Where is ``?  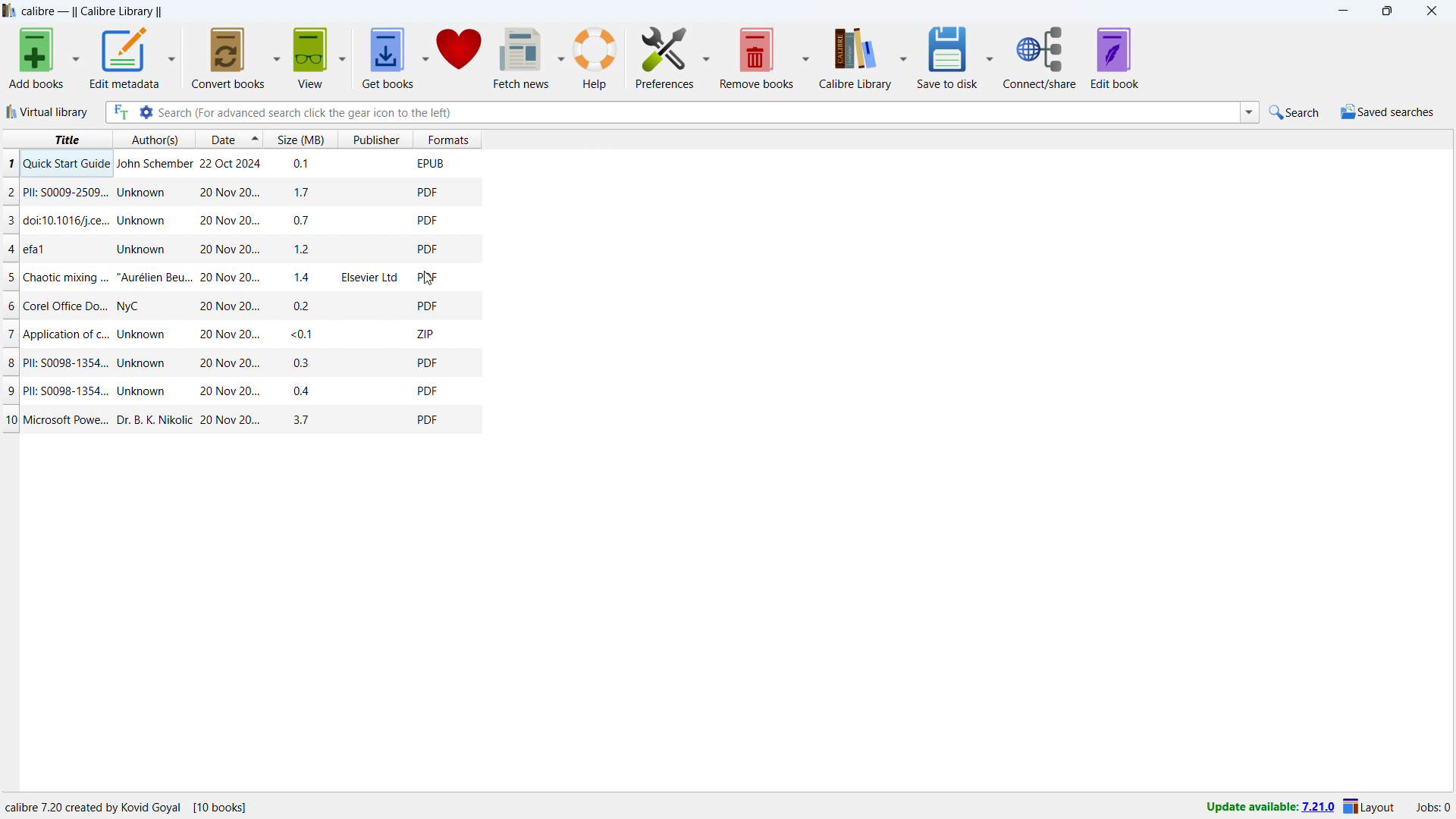
 is located at coordinates (597, 58).